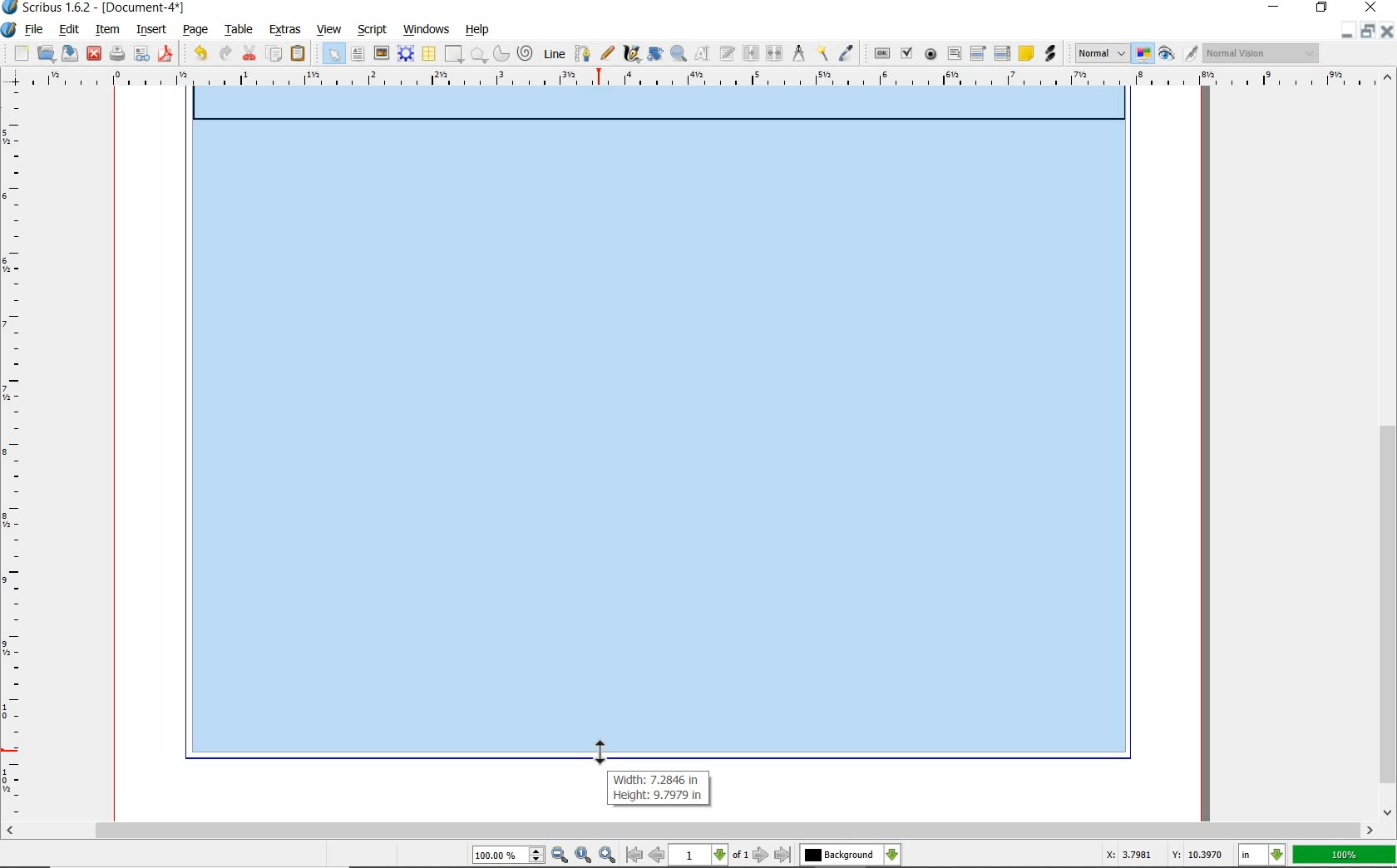 Image resolution: width=1397 pixels, height=868 pixels. What do you see at coordinates (678, 55) in the screenshot?
I see `zoom in or zoom out` at bounding box center [678, 55].